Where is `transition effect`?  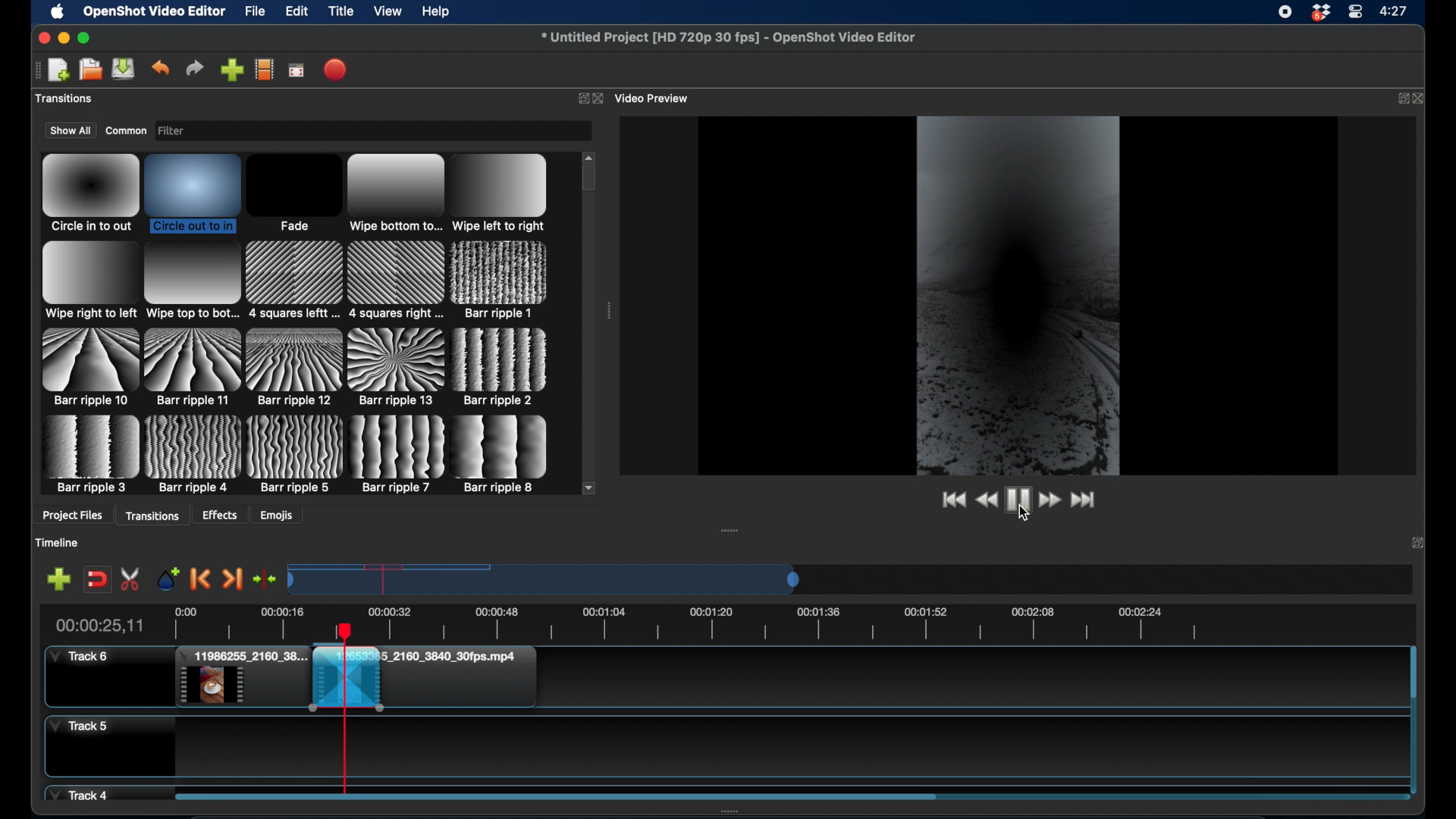 transition effect is located at coordinates (346, 679).